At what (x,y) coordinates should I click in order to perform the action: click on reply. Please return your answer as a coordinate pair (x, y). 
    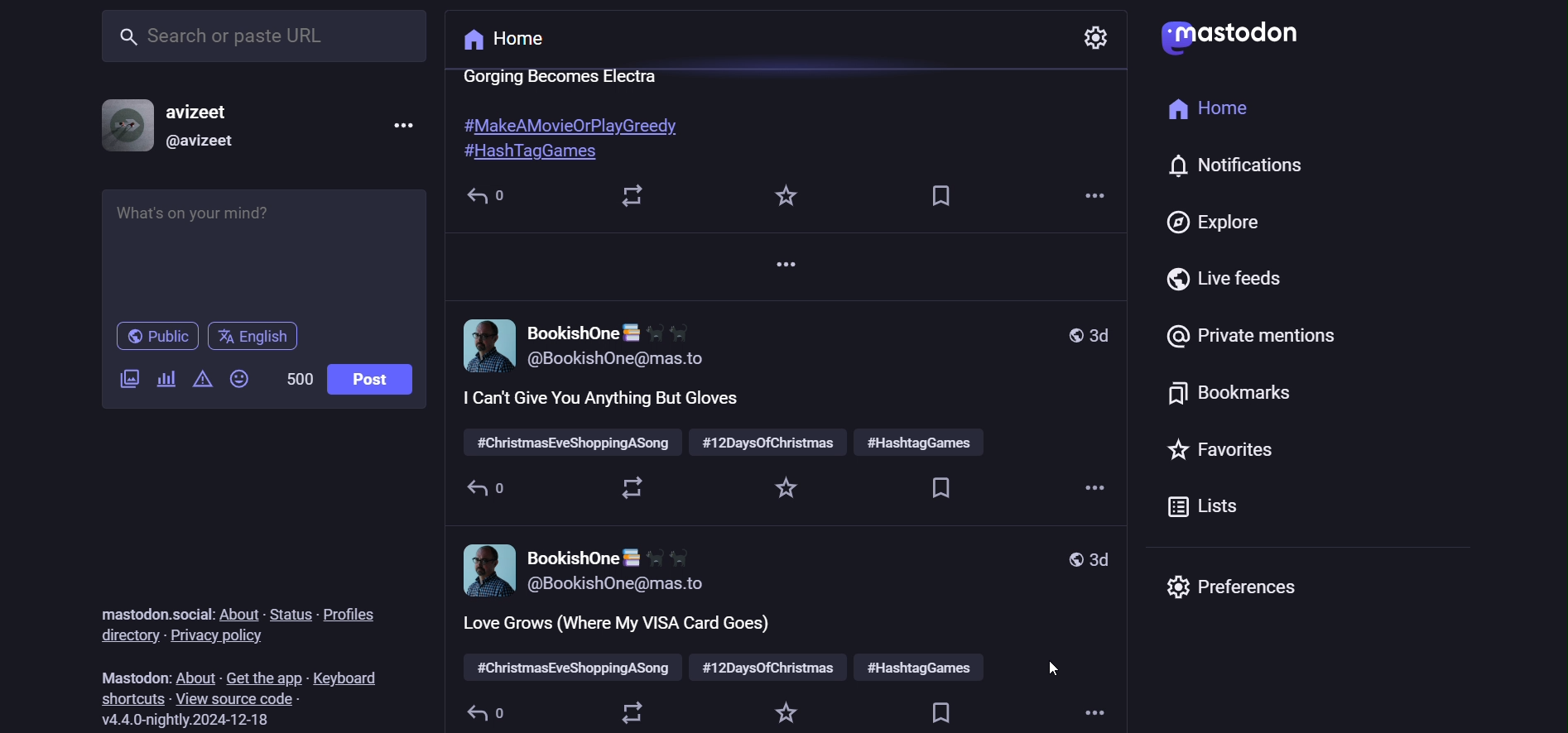
    Looking at the image, I should click on (482, 194).